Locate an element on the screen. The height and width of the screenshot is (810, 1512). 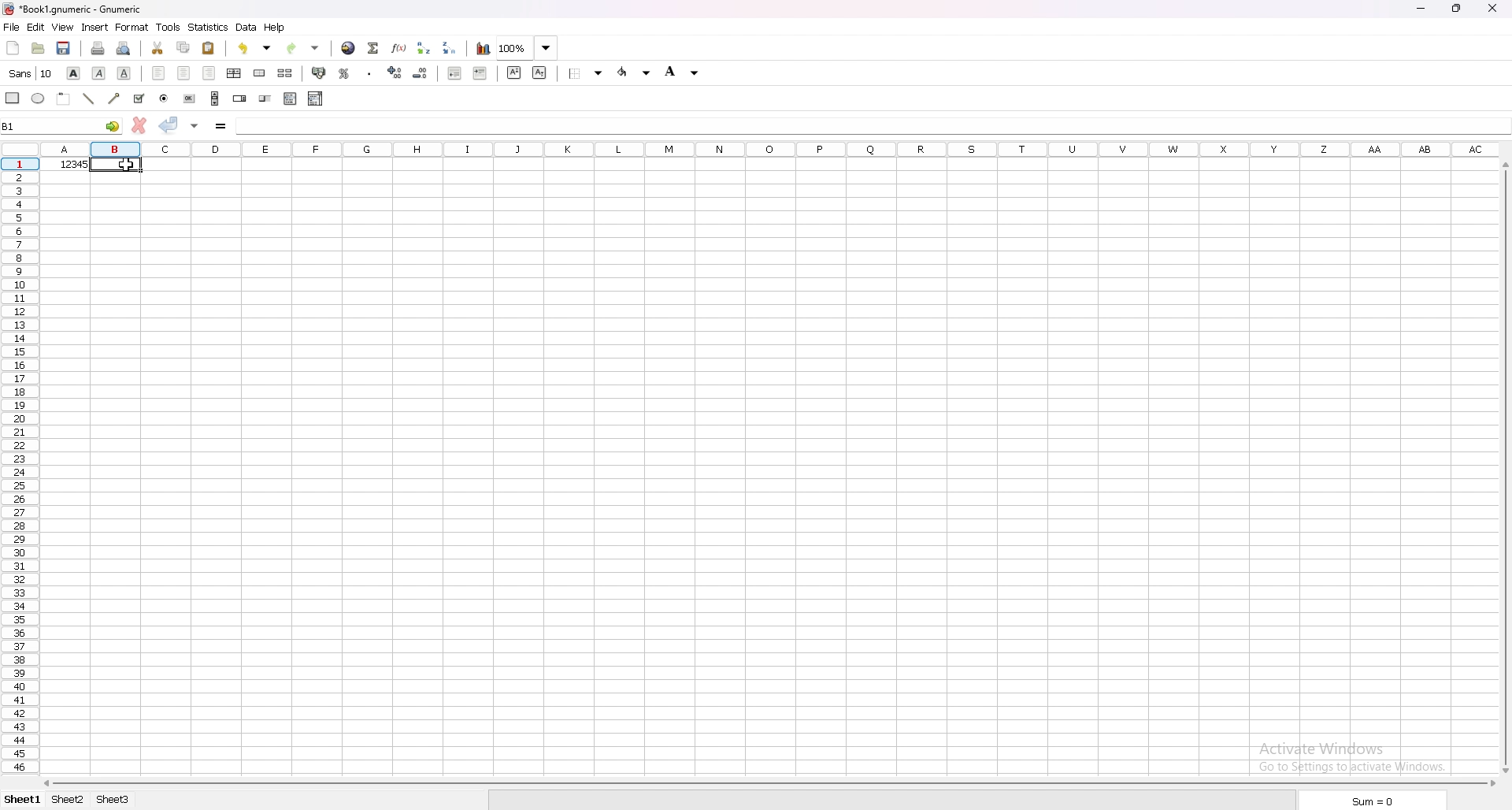
centre horizontally is located at coordinates (235, 73).